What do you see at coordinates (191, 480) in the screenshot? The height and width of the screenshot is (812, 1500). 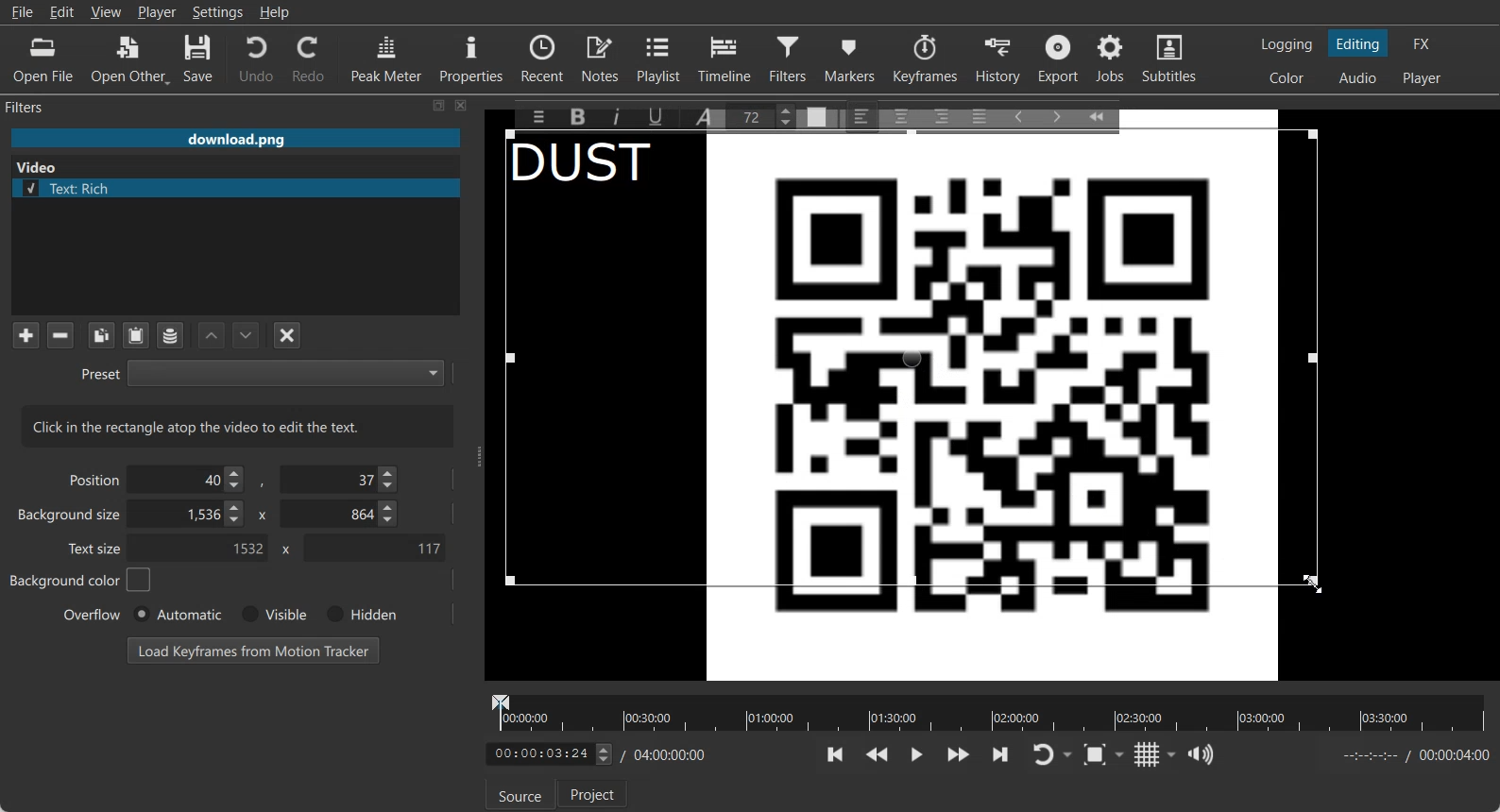 I see `Position Adjuster X- Coordinate` at bounding box center [191, 480].